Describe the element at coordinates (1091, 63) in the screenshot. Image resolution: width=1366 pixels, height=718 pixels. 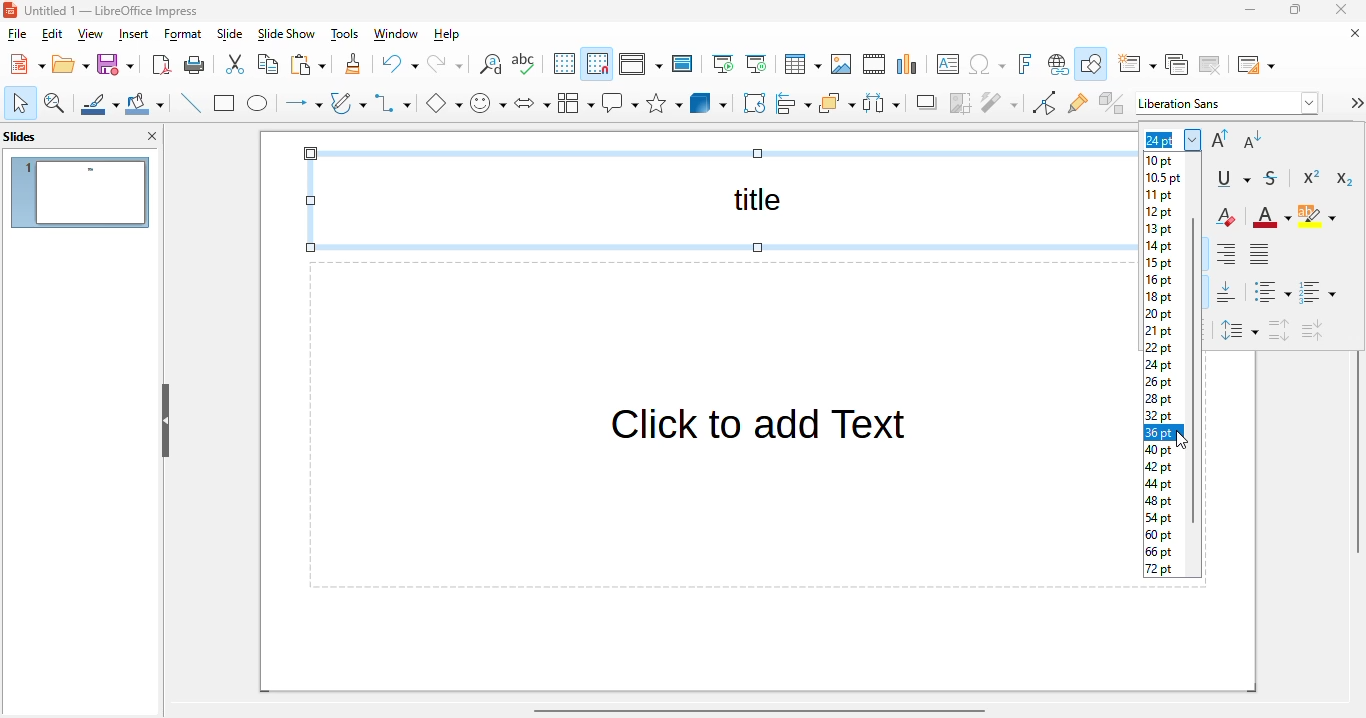
I see `show draw functions` at that location.